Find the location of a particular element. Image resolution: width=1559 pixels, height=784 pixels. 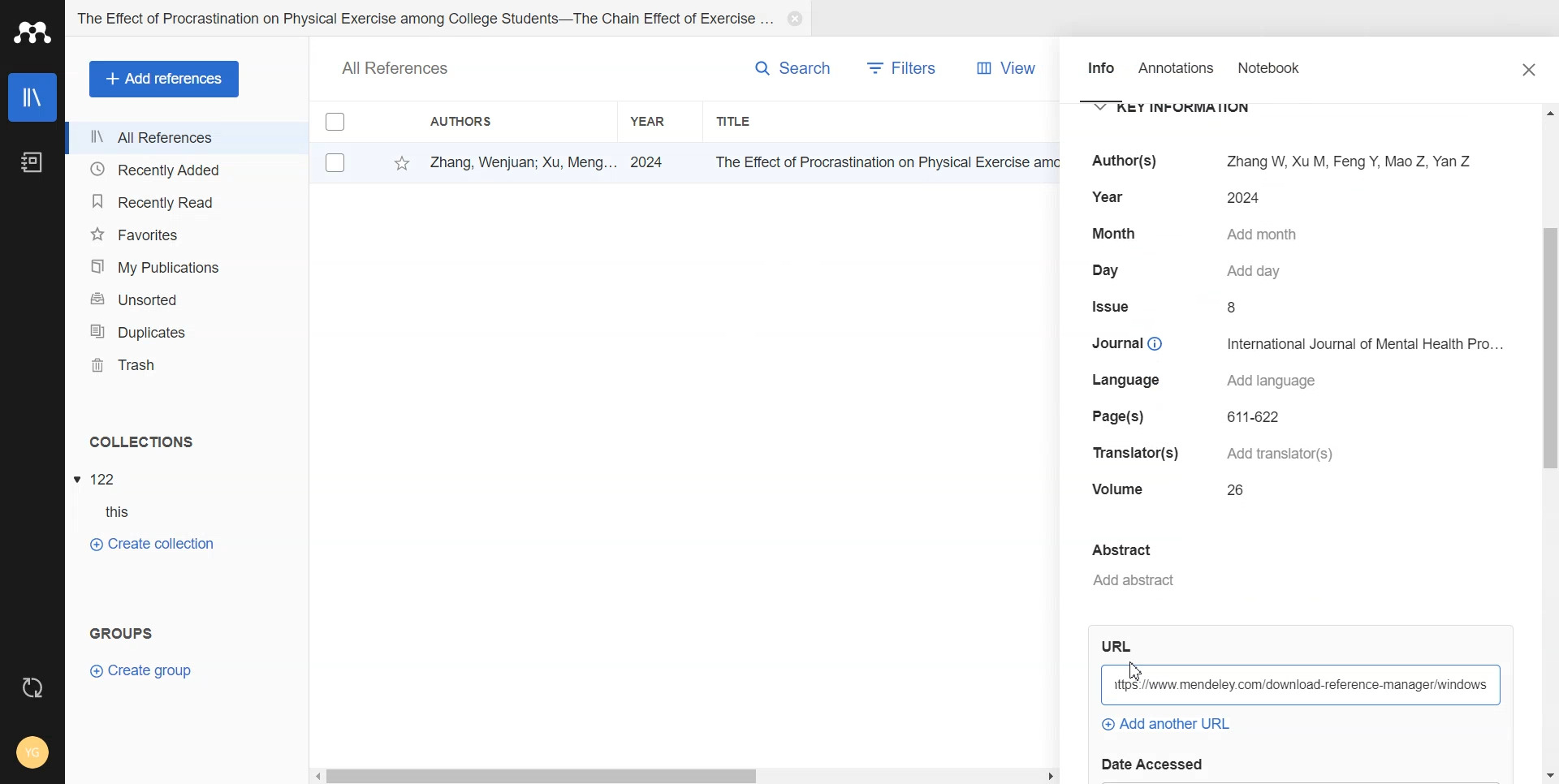

Folder is located at coordinates (423, 19).